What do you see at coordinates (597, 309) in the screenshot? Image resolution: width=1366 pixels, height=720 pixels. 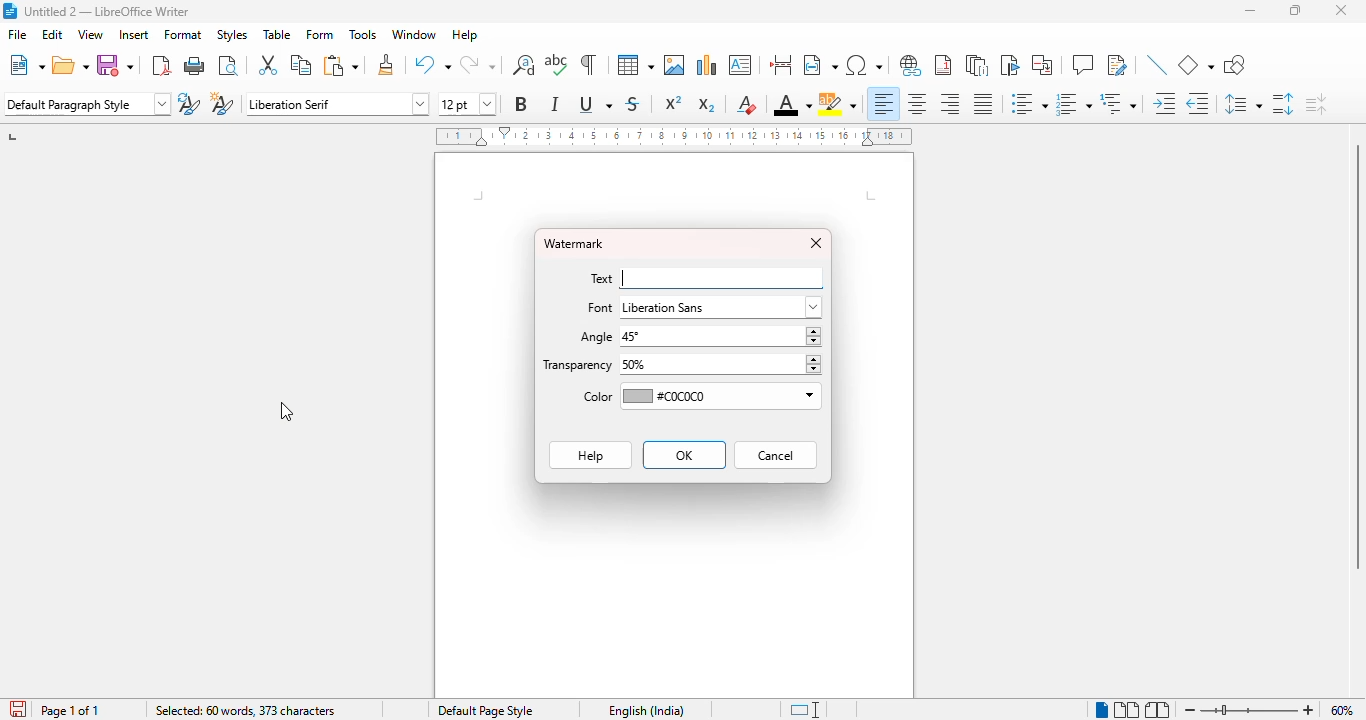 I see `Font` at bounding box center [597, 309].